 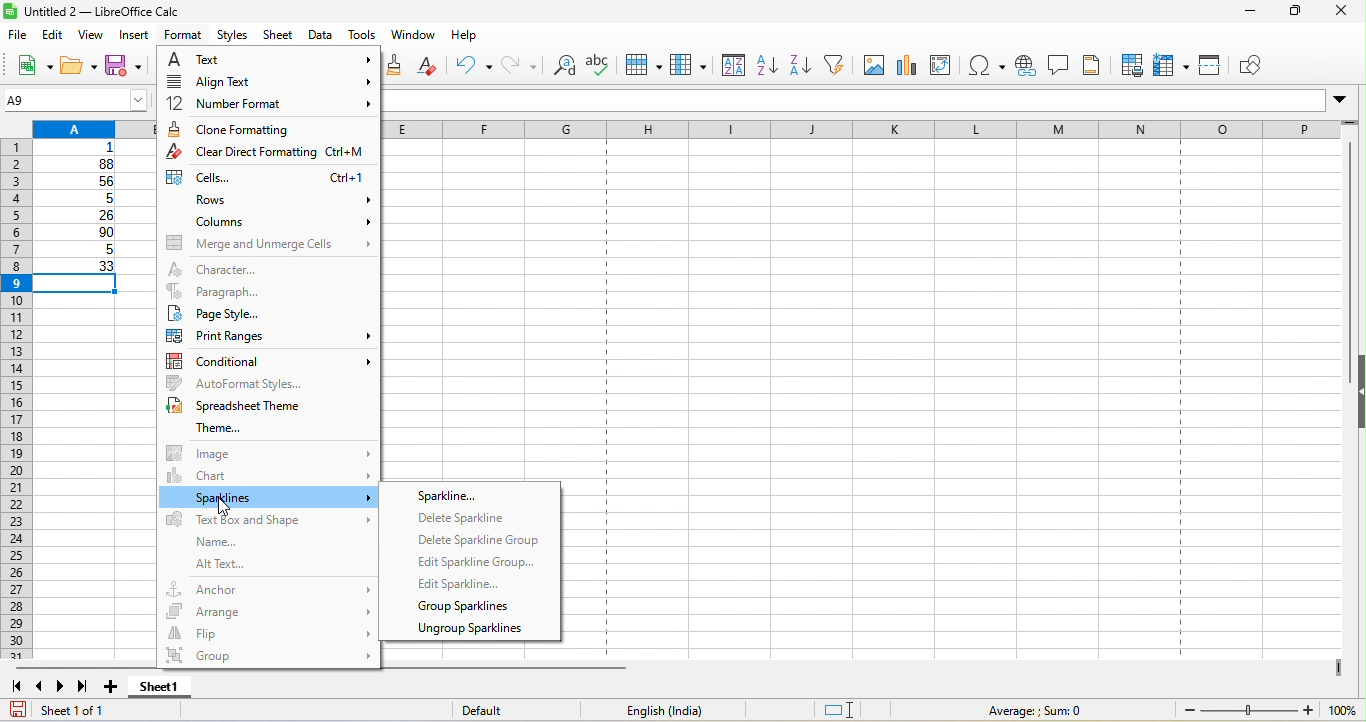 What do you see at coordinates (81, 285) in the screenshot?
I see `selected cell` at bounding box center [81, 285].